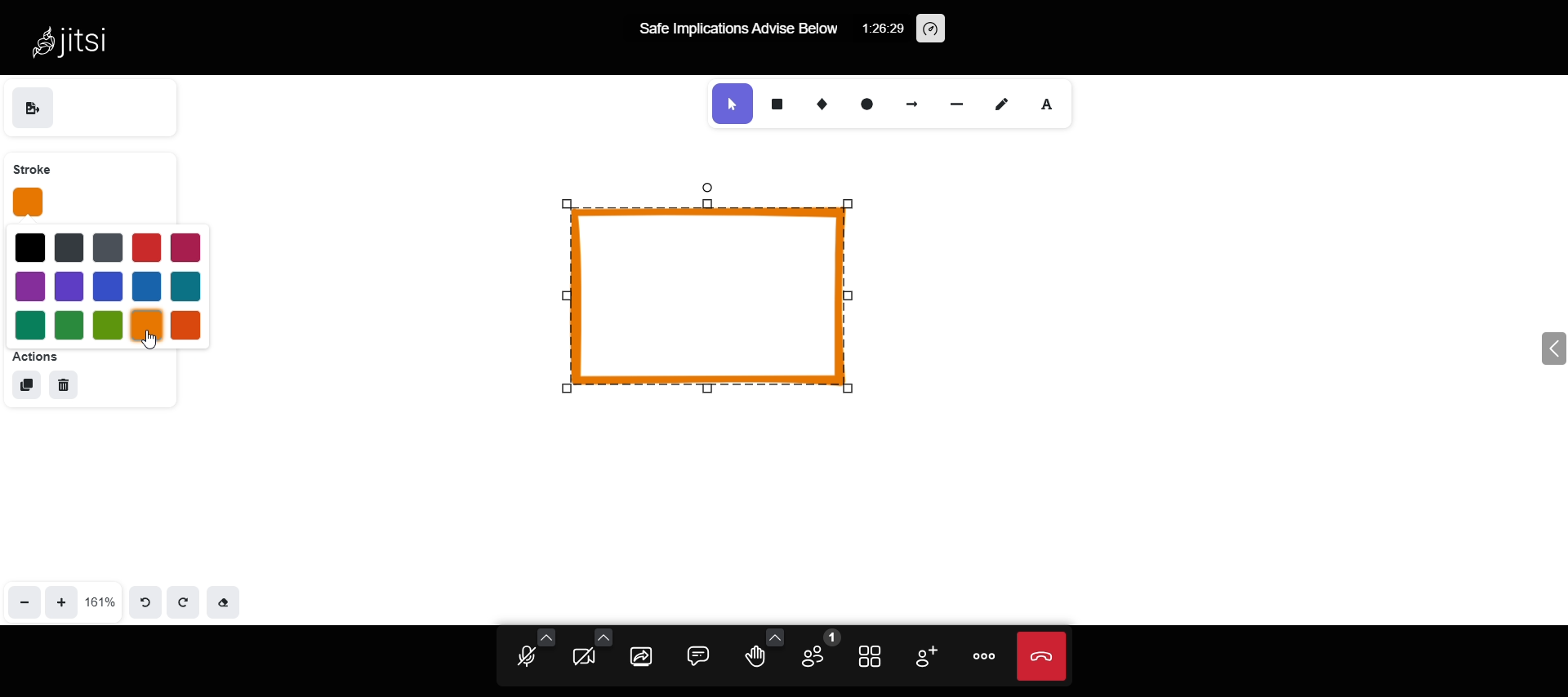 The image size is (1568, 697). Describe the element at coordinates (87, 42) in the screenshot. I see `Jitsi` at that location.